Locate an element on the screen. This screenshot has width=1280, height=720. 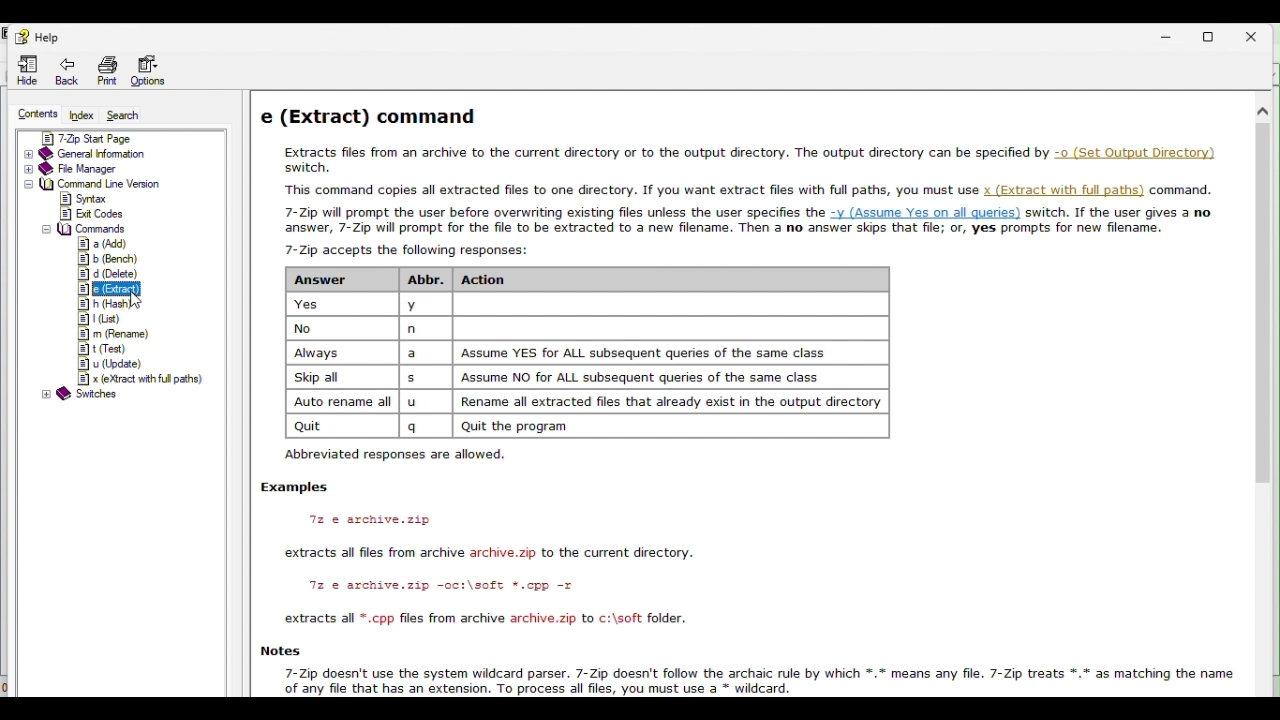
Syntax is located at coordinates (86, 198).